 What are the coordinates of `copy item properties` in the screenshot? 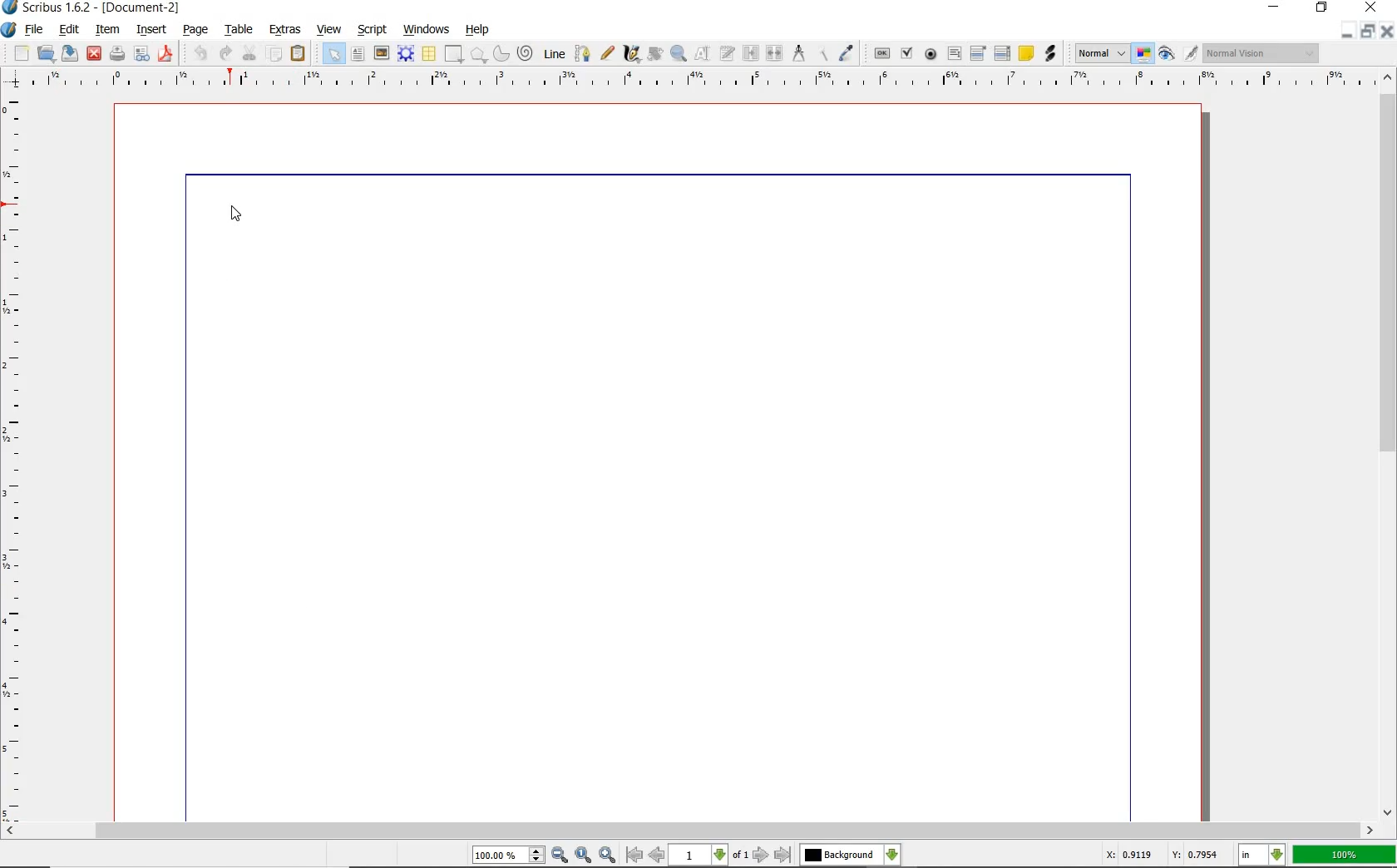 It's located at (823, 56).